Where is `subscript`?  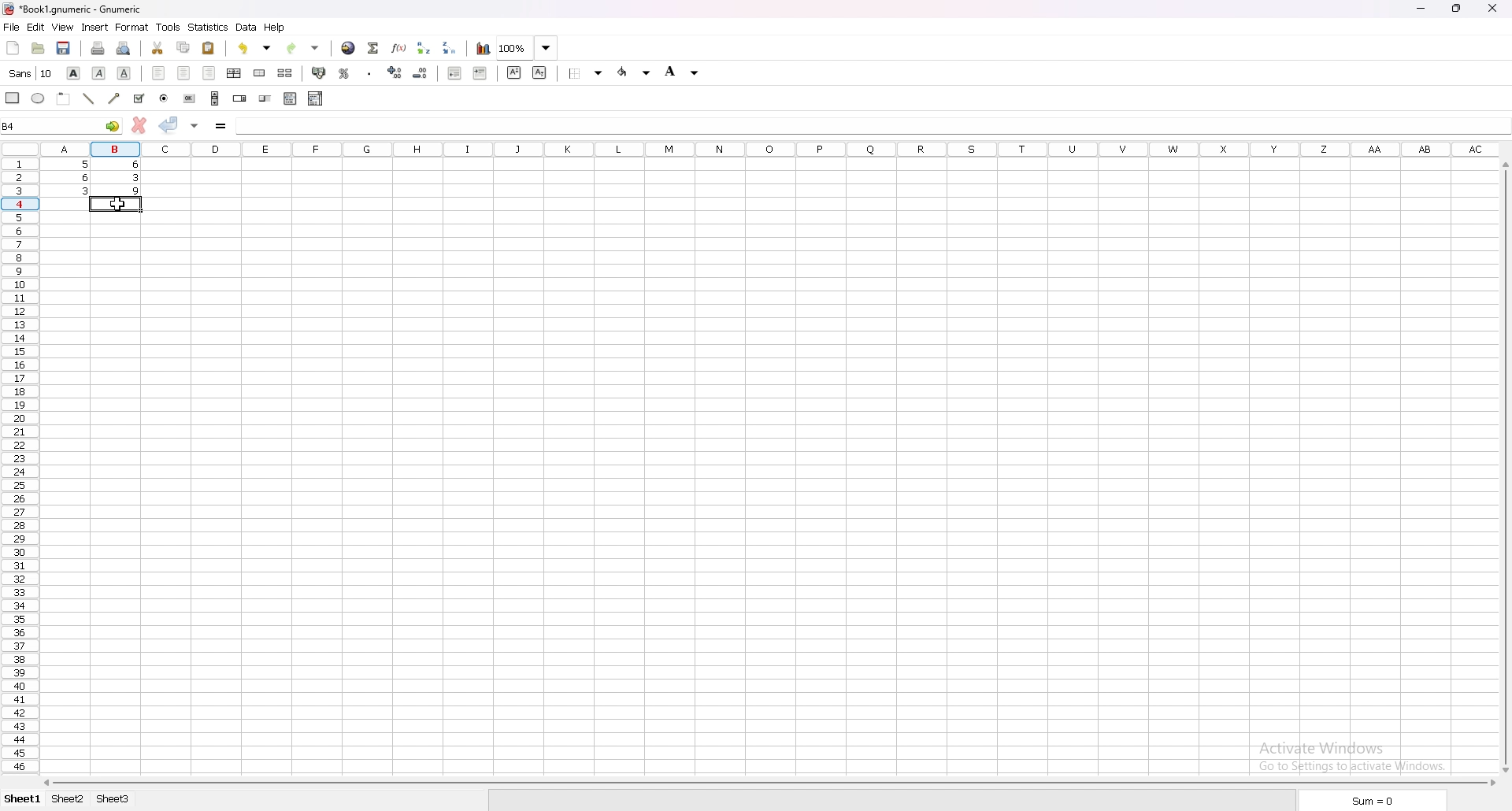 subscript is located at coordinates (539, 72).